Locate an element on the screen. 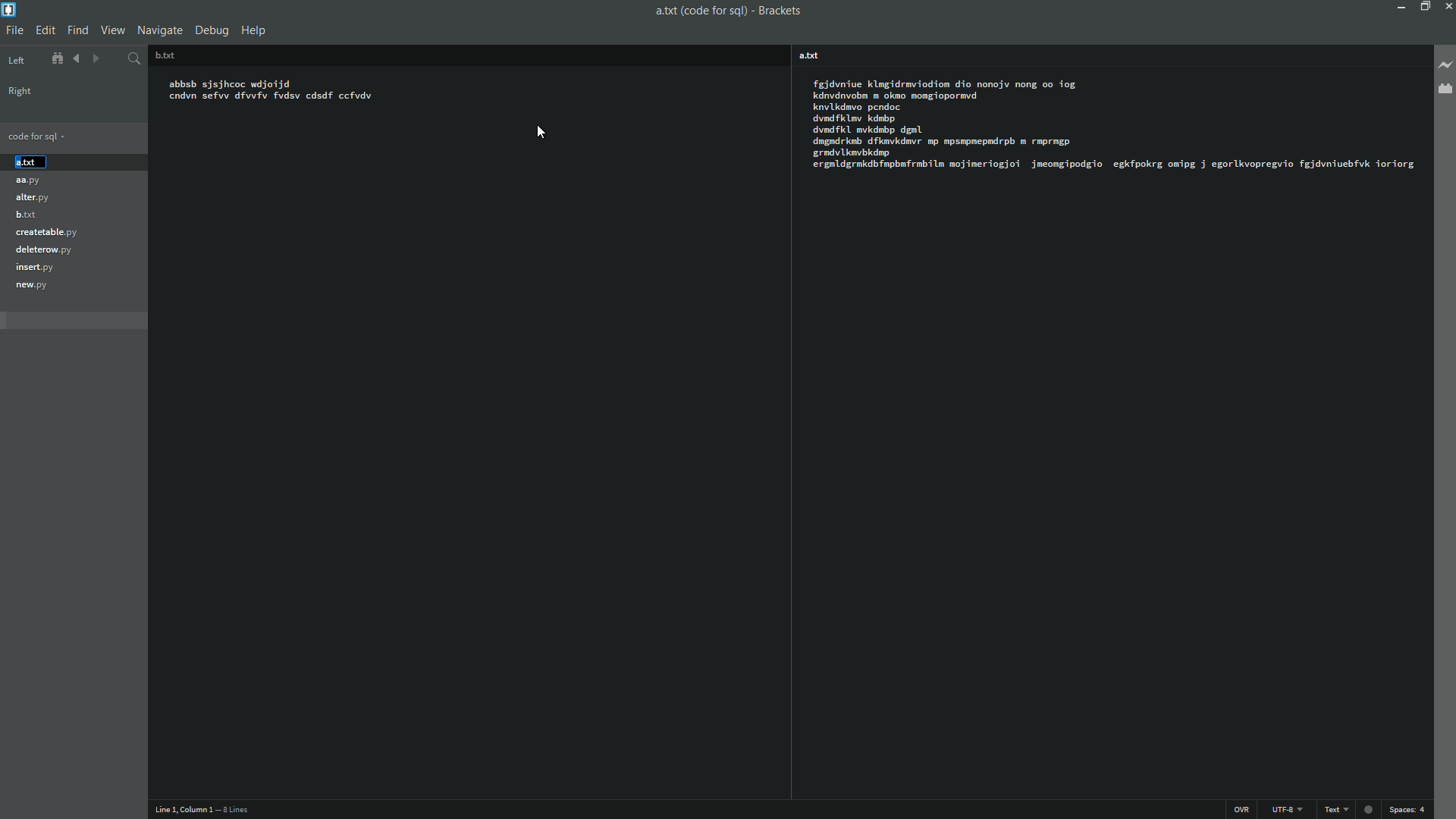  aa.py is located at coordinates (29, 183).